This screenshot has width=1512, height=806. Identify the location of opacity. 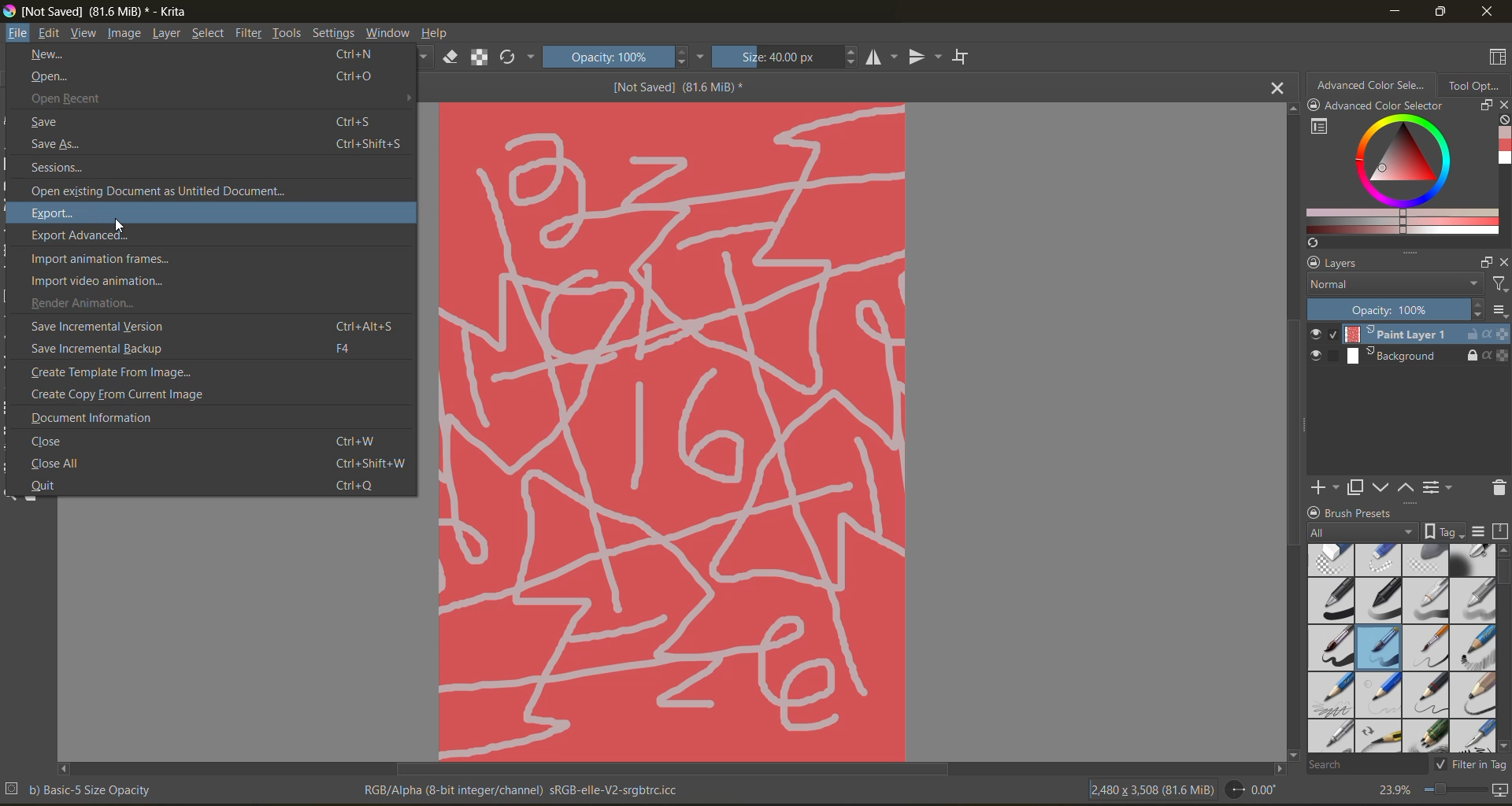
(621, 56).